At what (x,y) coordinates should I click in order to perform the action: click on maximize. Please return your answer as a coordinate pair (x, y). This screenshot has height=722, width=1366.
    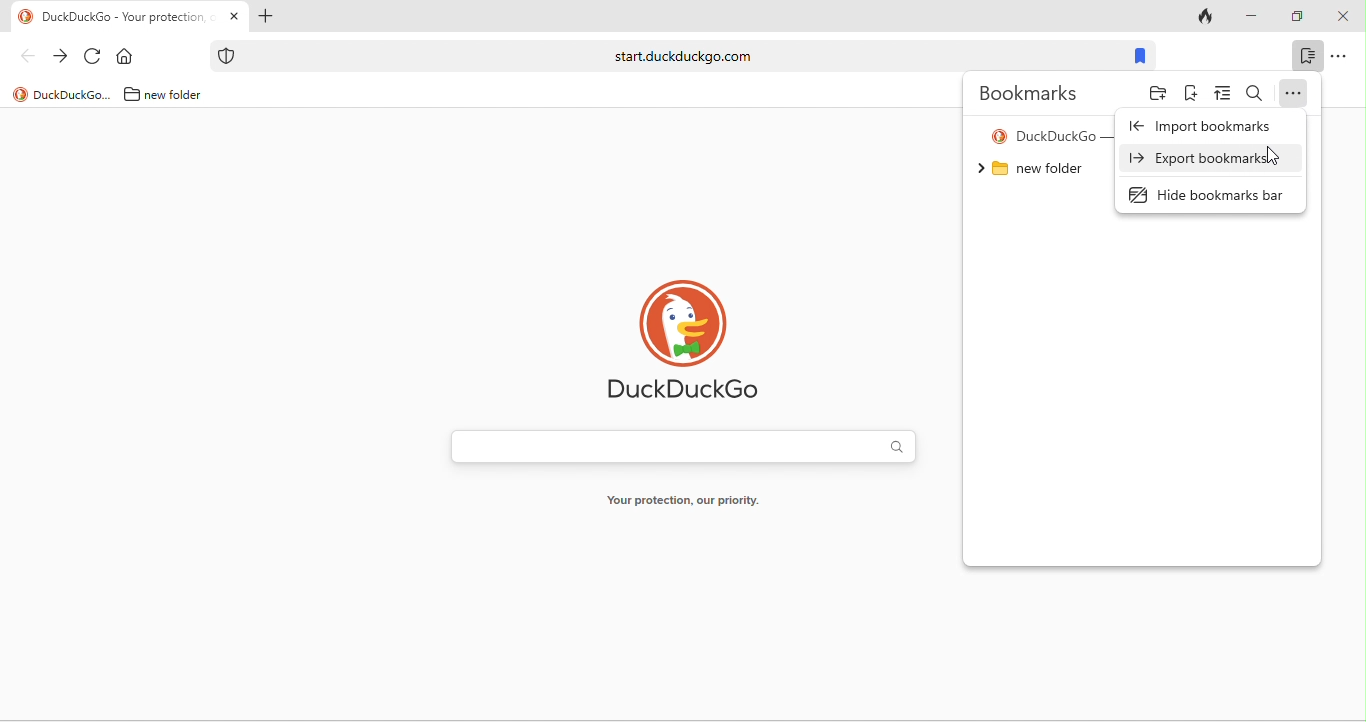
    Looking at the image, I should click on (1298, 17).